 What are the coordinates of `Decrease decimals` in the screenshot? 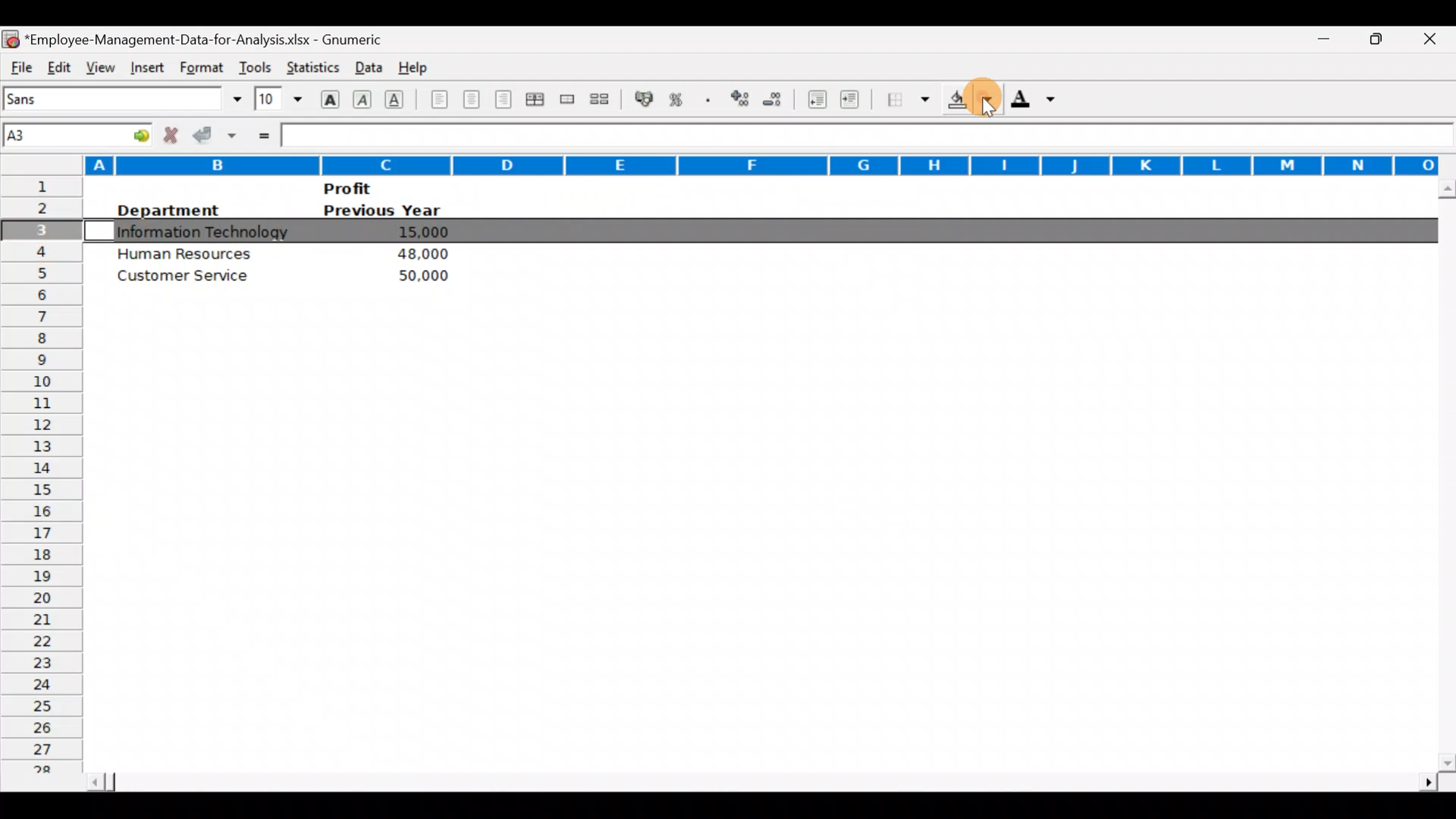 It's located at (779, 99).